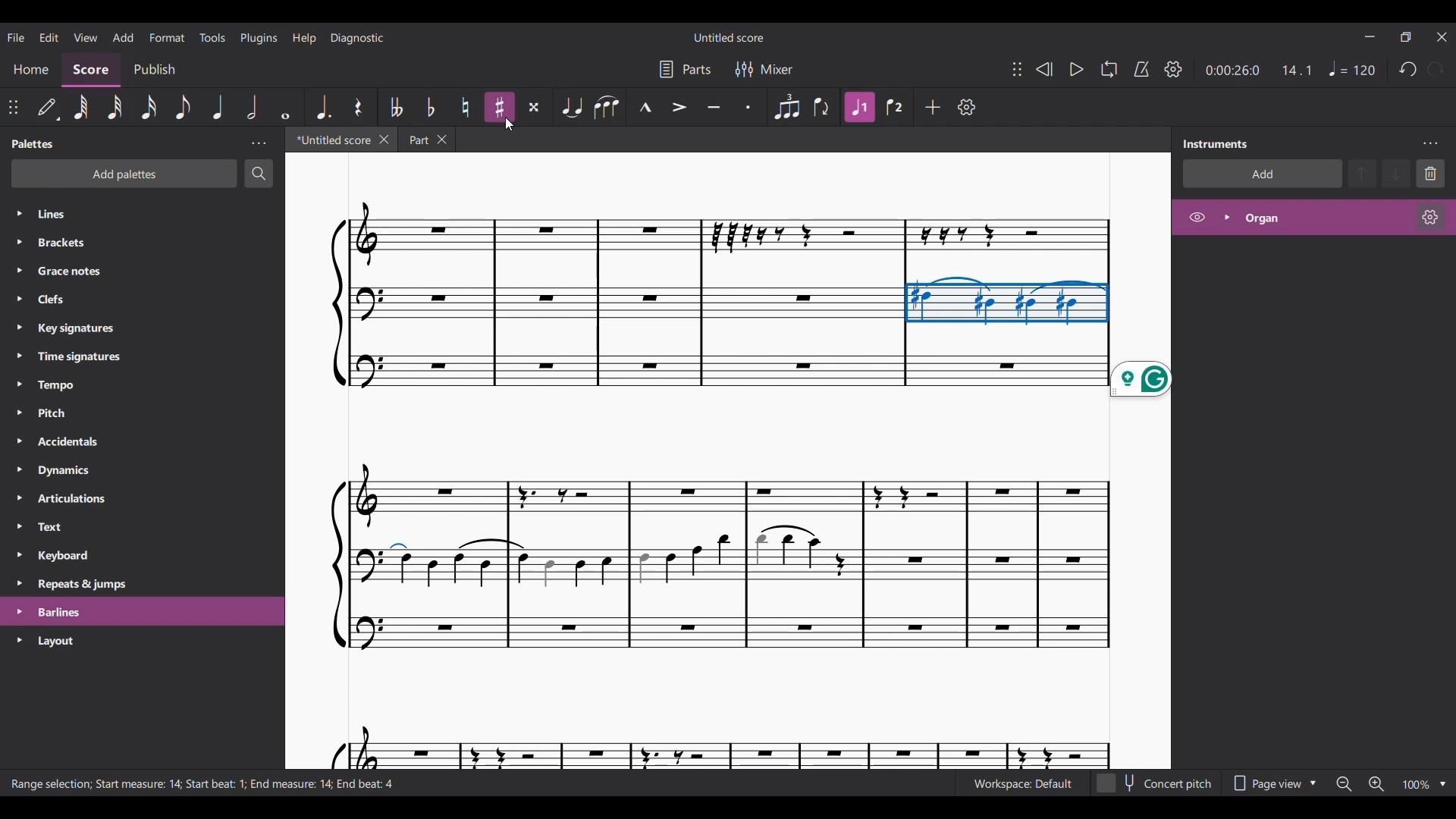 The image size is (1456, 819). Describe the element at coordinates (1343, 784) in the screenshot. I see `Zoom out` at that location.